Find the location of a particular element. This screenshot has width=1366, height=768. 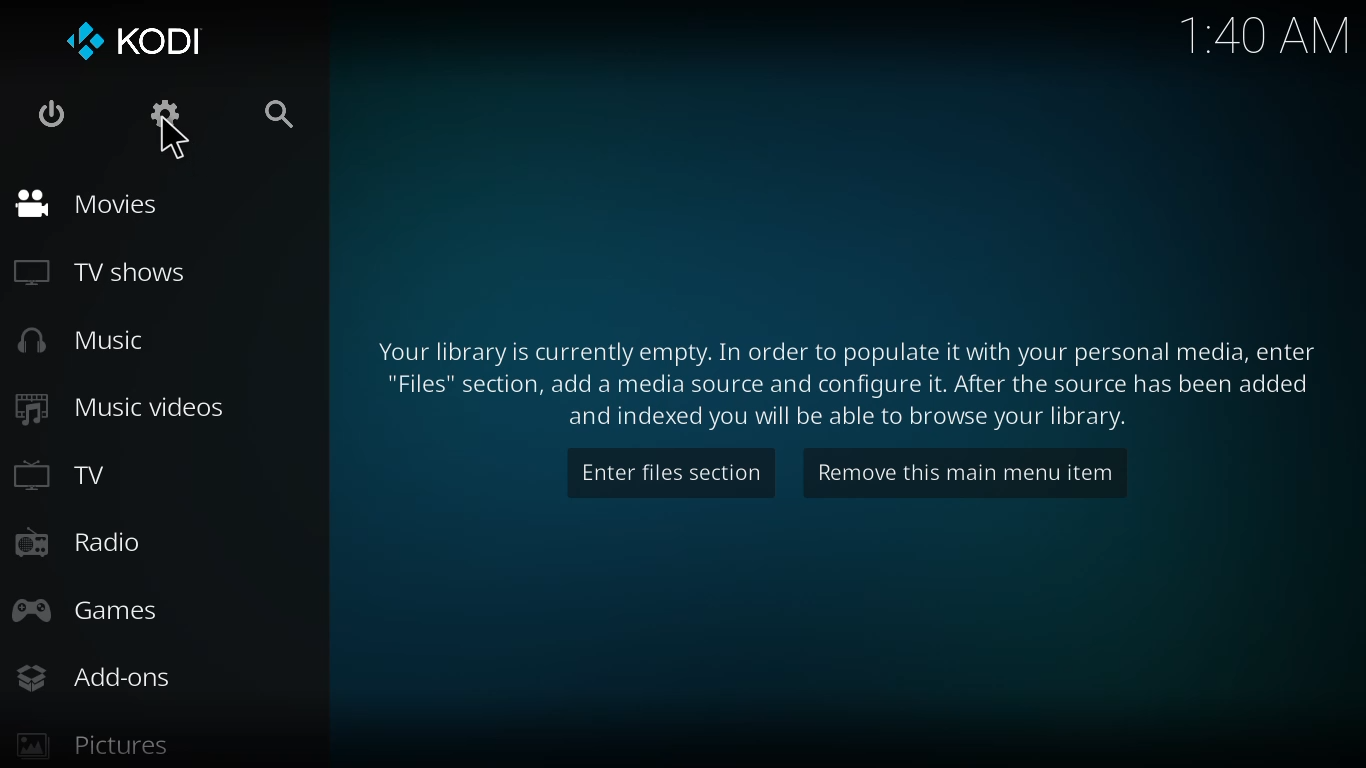

music videos is located at coordinates (124, 405).